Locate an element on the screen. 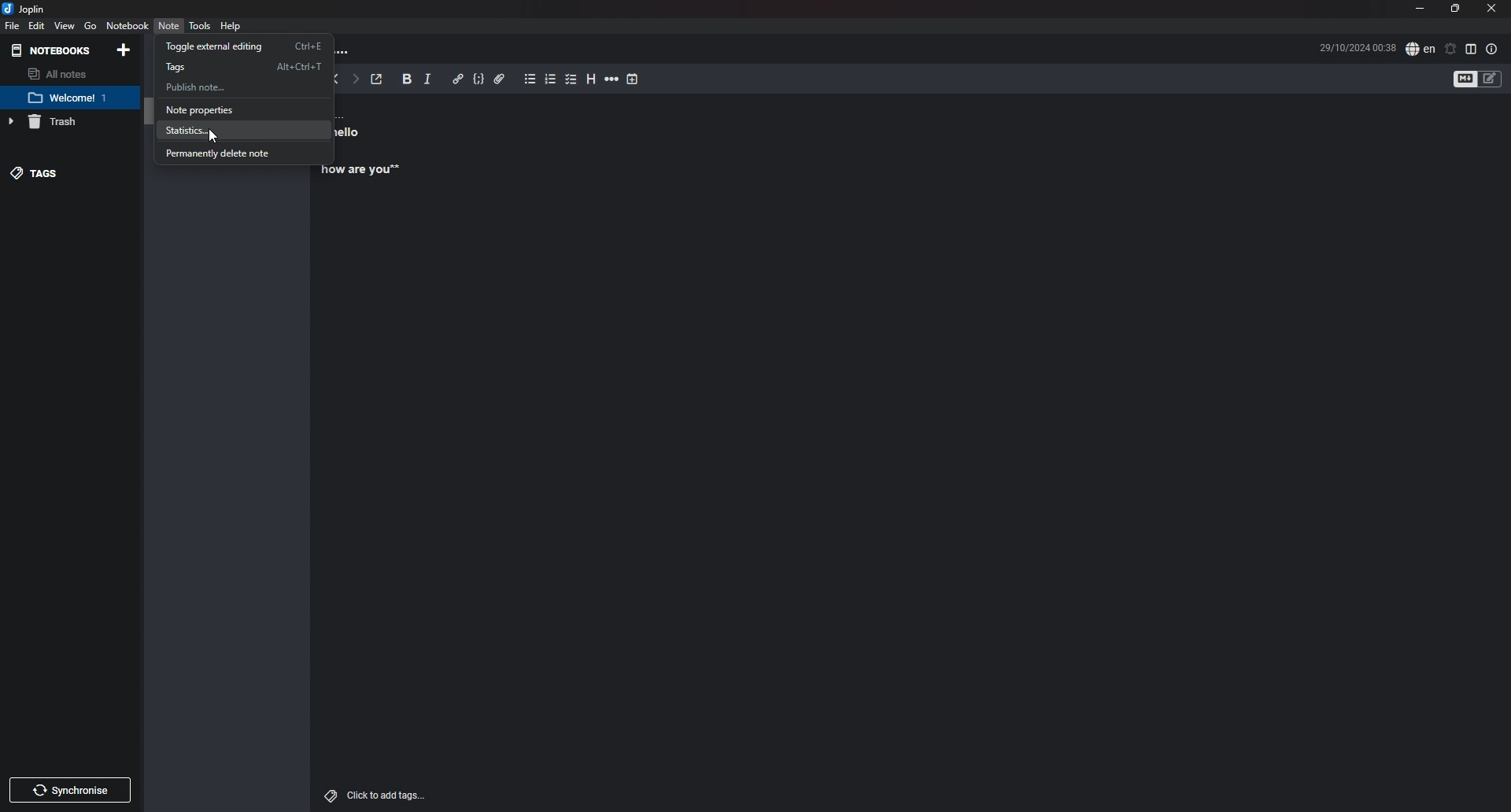 Image resolution: width=1511 pixels, height=812 pixels. note is located at coordinates (68, 98).